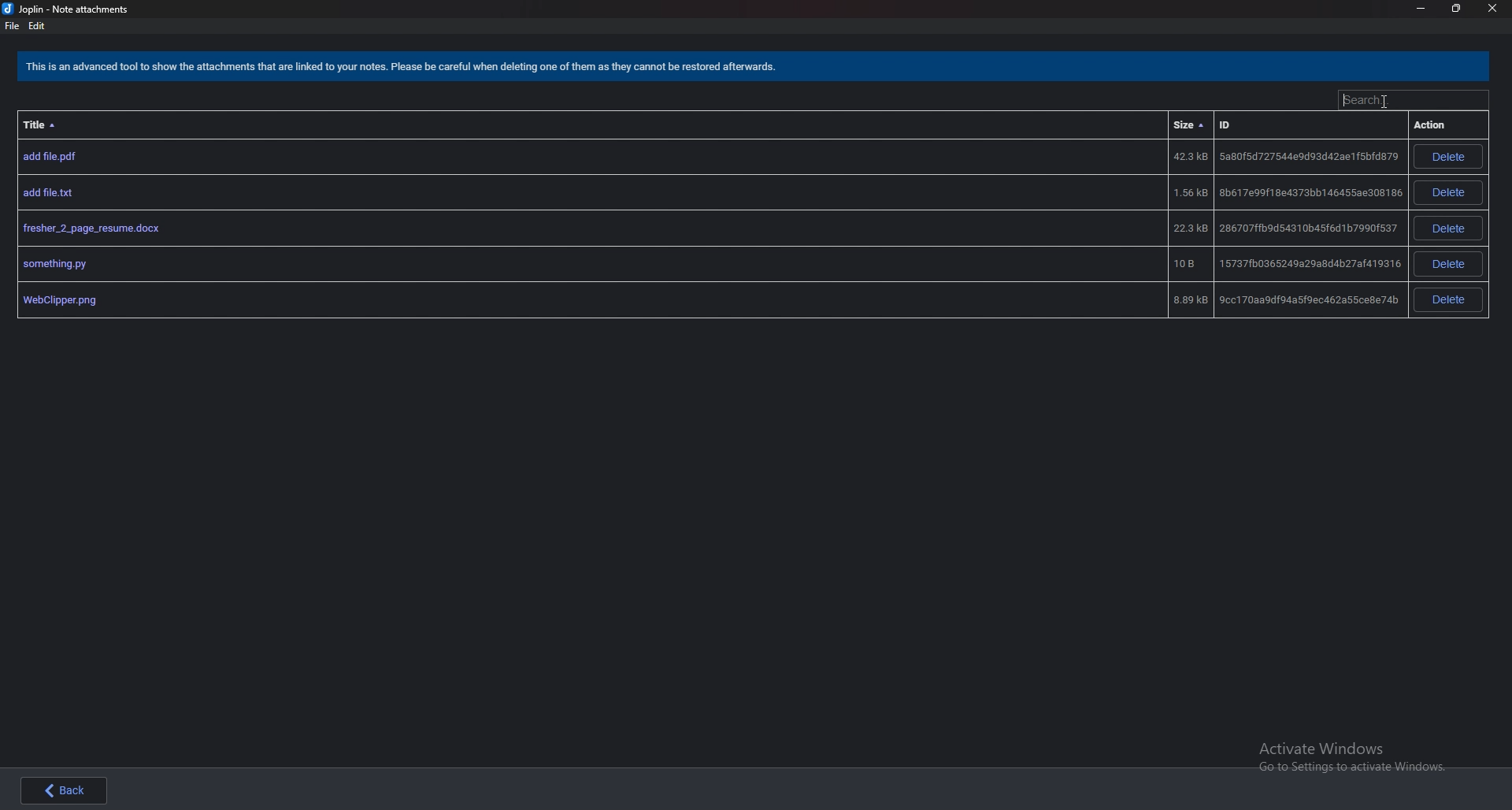 The width and height of the screenshot is (1512, 810). What do you see at coordinates (1450, 264) in the screenshot?
I see `delete` at bounding box center [1450, 264].